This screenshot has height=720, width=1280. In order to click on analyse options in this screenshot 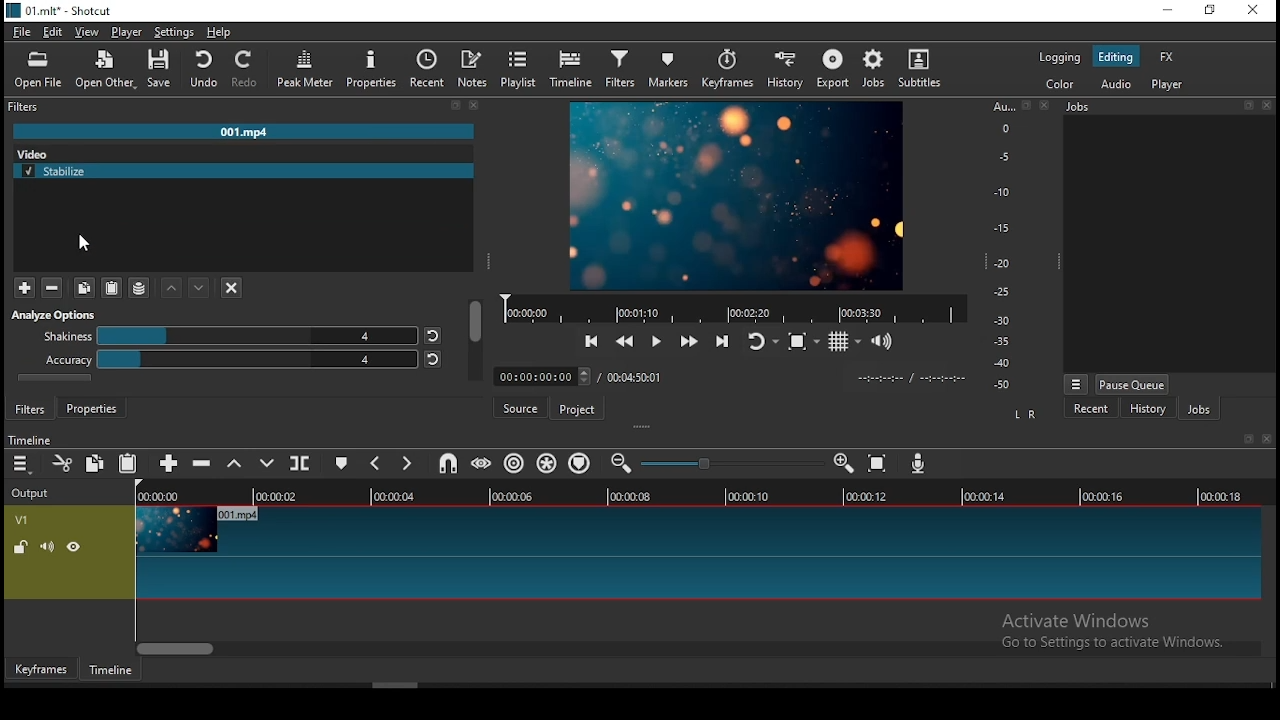, I will do `click(53, 315)`.